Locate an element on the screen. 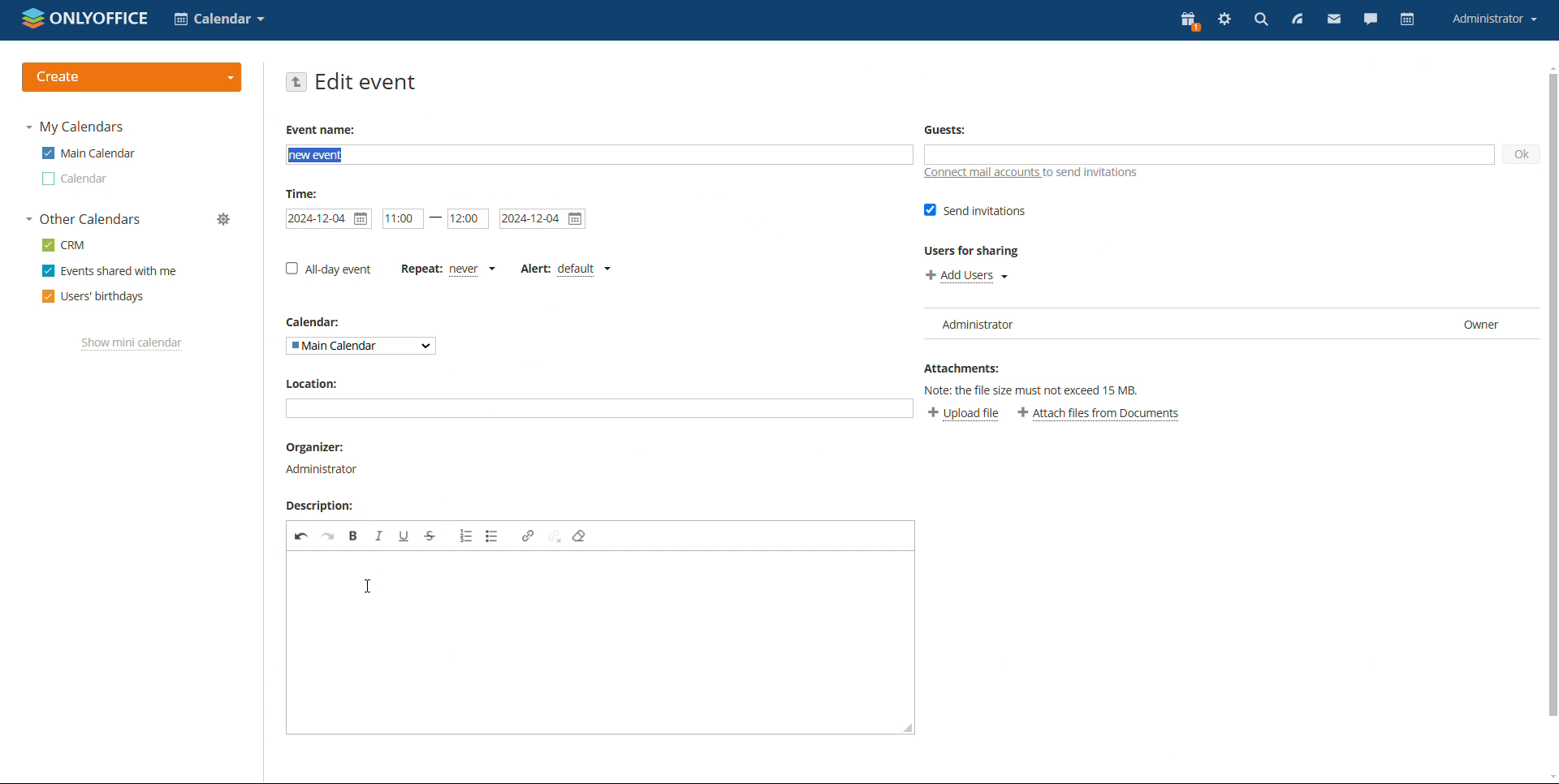   is located at coordinates (581, 536).